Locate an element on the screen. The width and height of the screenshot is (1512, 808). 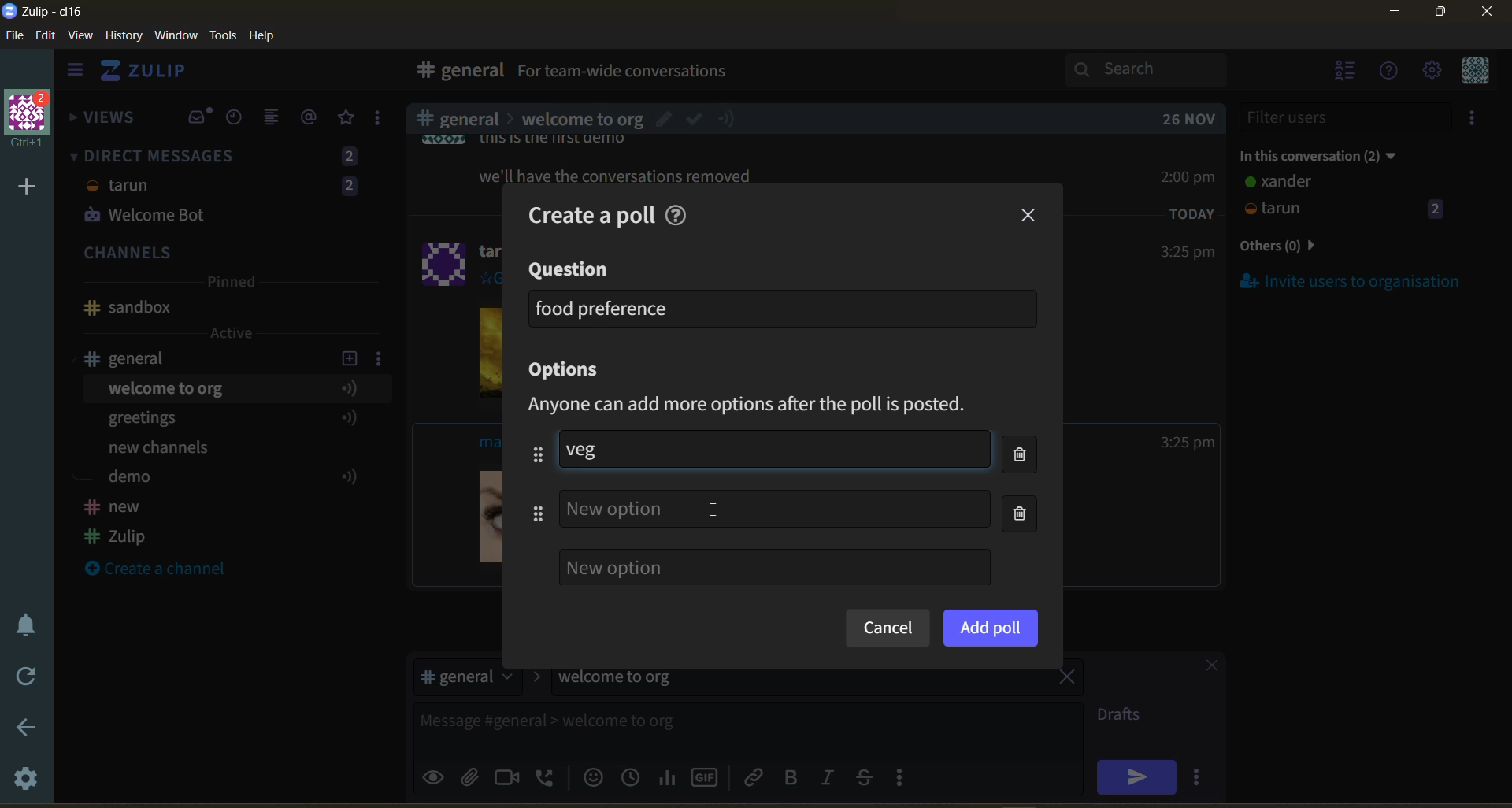
maximize is located at coordinates (1437, 17).